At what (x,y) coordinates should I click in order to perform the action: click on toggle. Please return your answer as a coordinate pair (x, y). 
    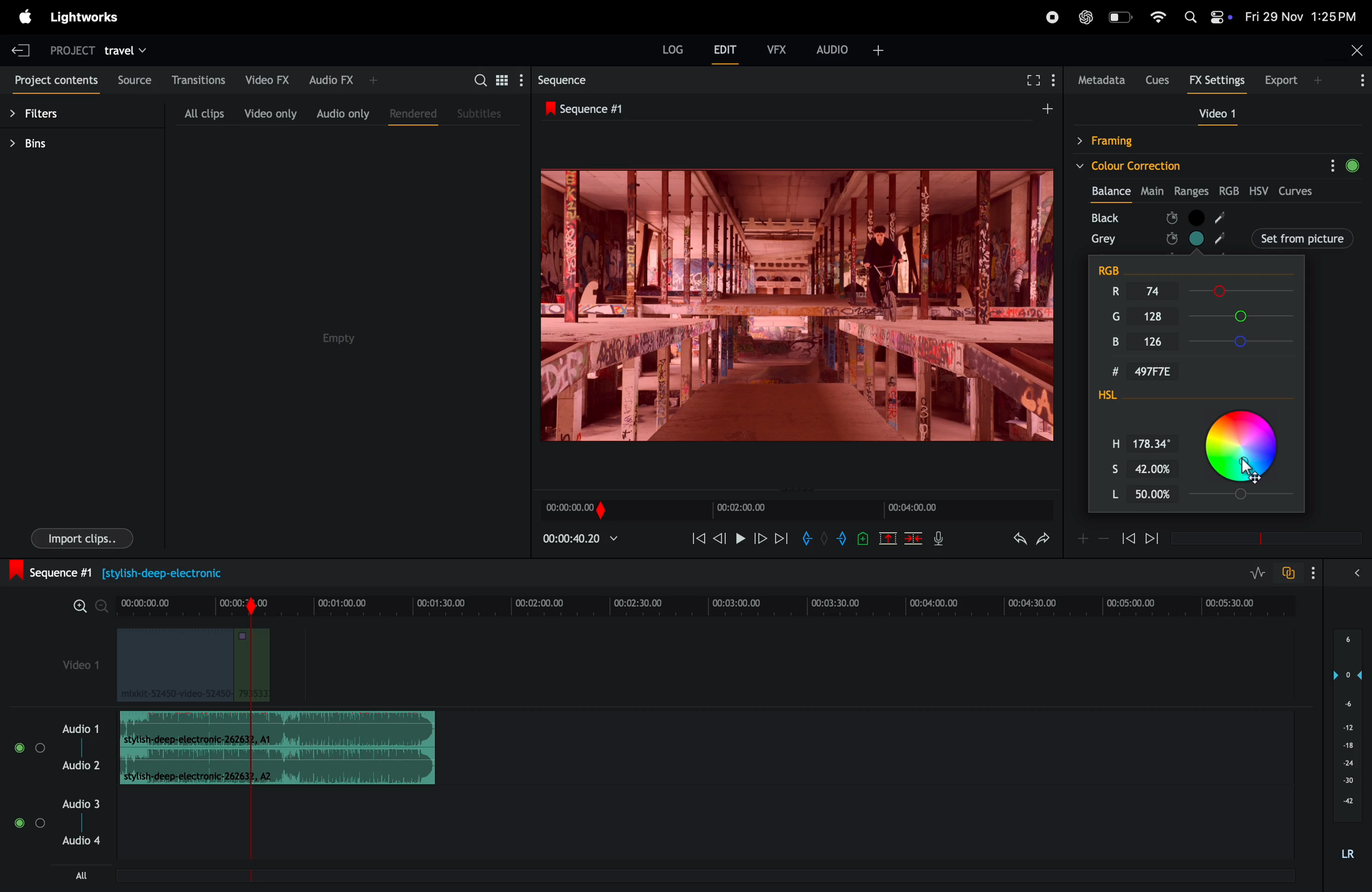
    Looking at the image, I should click on (18, 748).